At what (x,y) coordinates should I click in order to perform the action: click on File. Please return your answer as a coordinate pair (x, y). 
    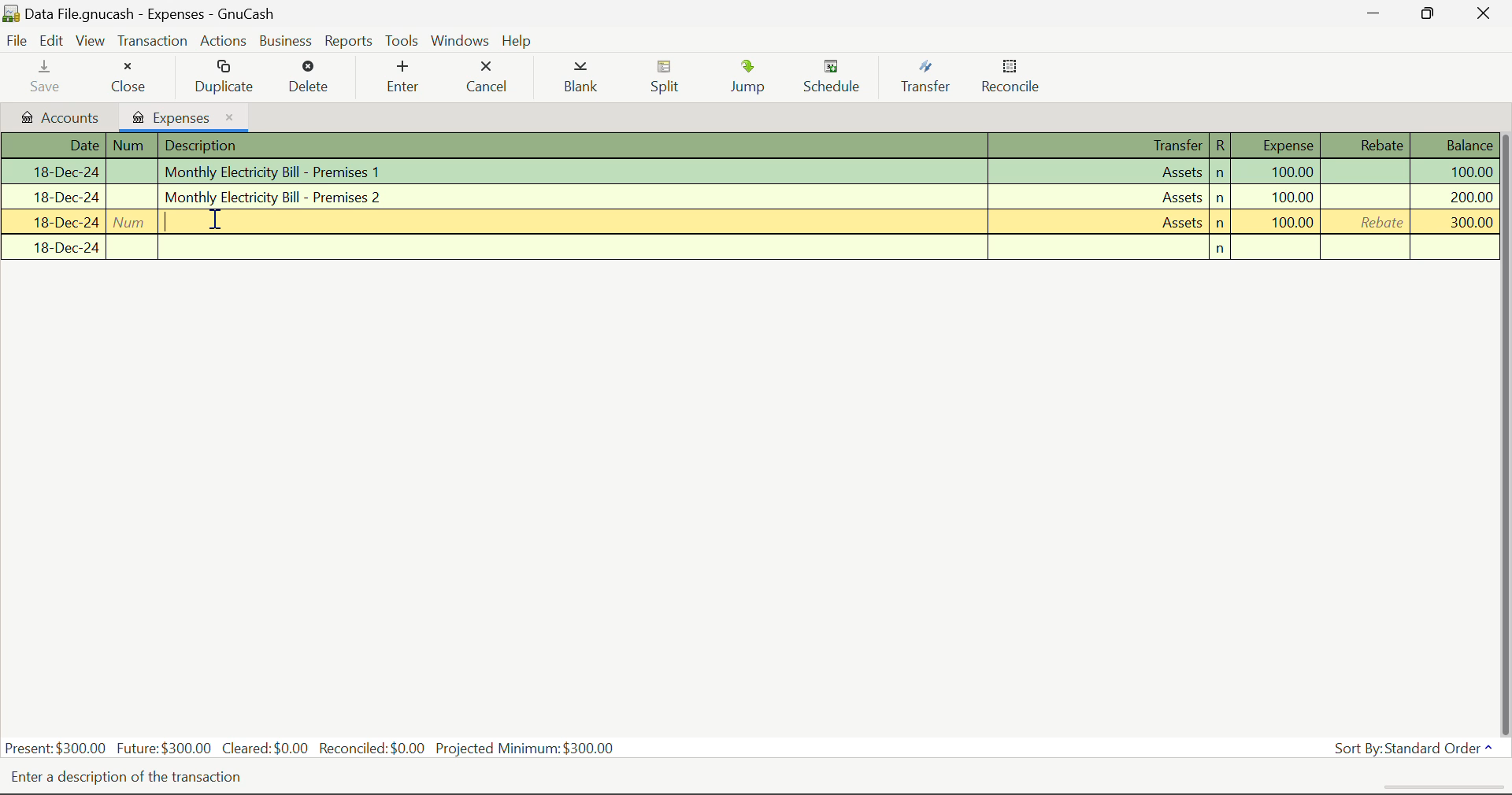
    Looking at the image, I should click on (19, 39).